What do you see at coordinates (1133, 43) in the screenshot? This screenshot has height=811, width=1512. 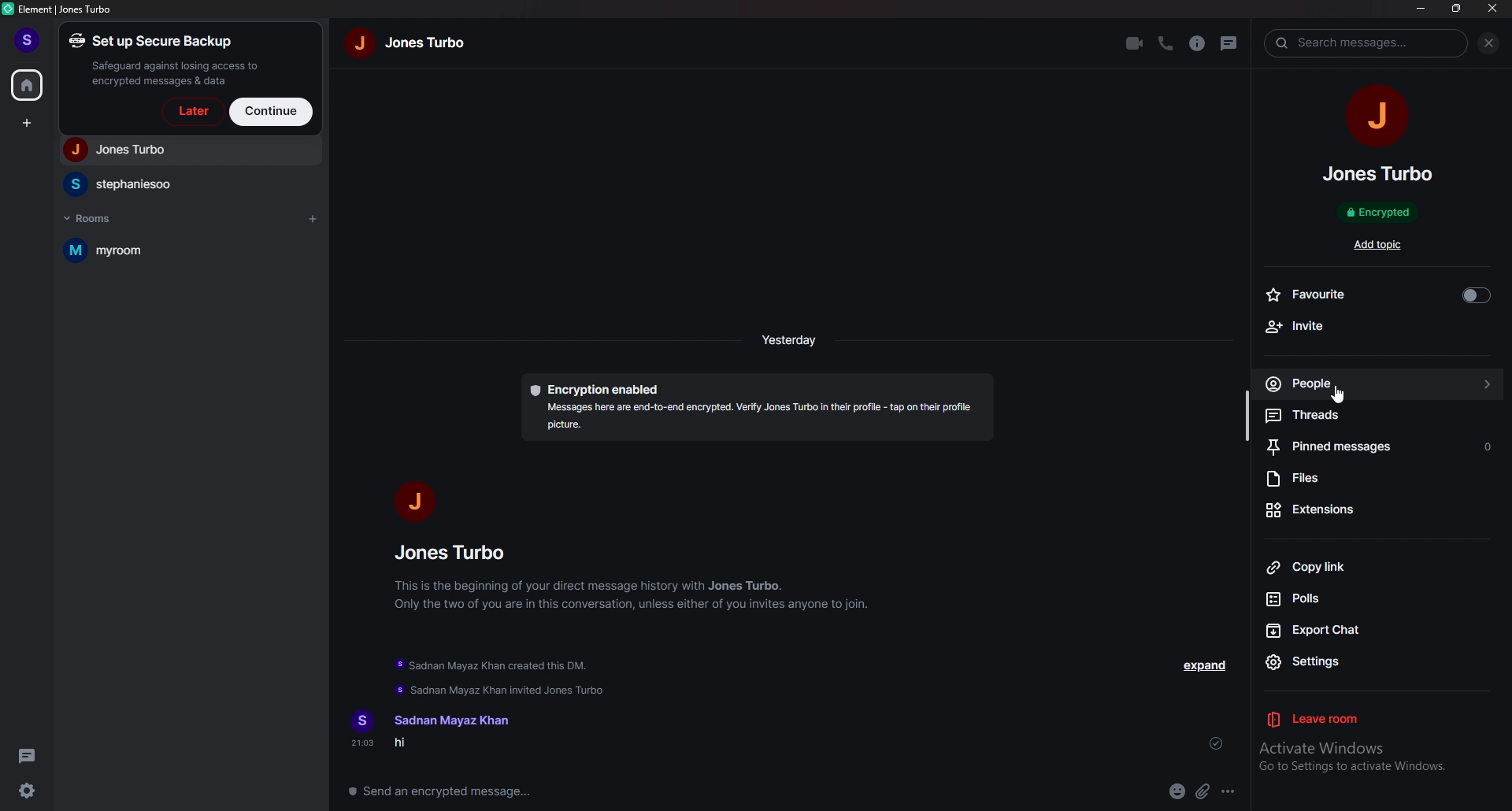 I see `video call` at bounding box center [1133, 43].